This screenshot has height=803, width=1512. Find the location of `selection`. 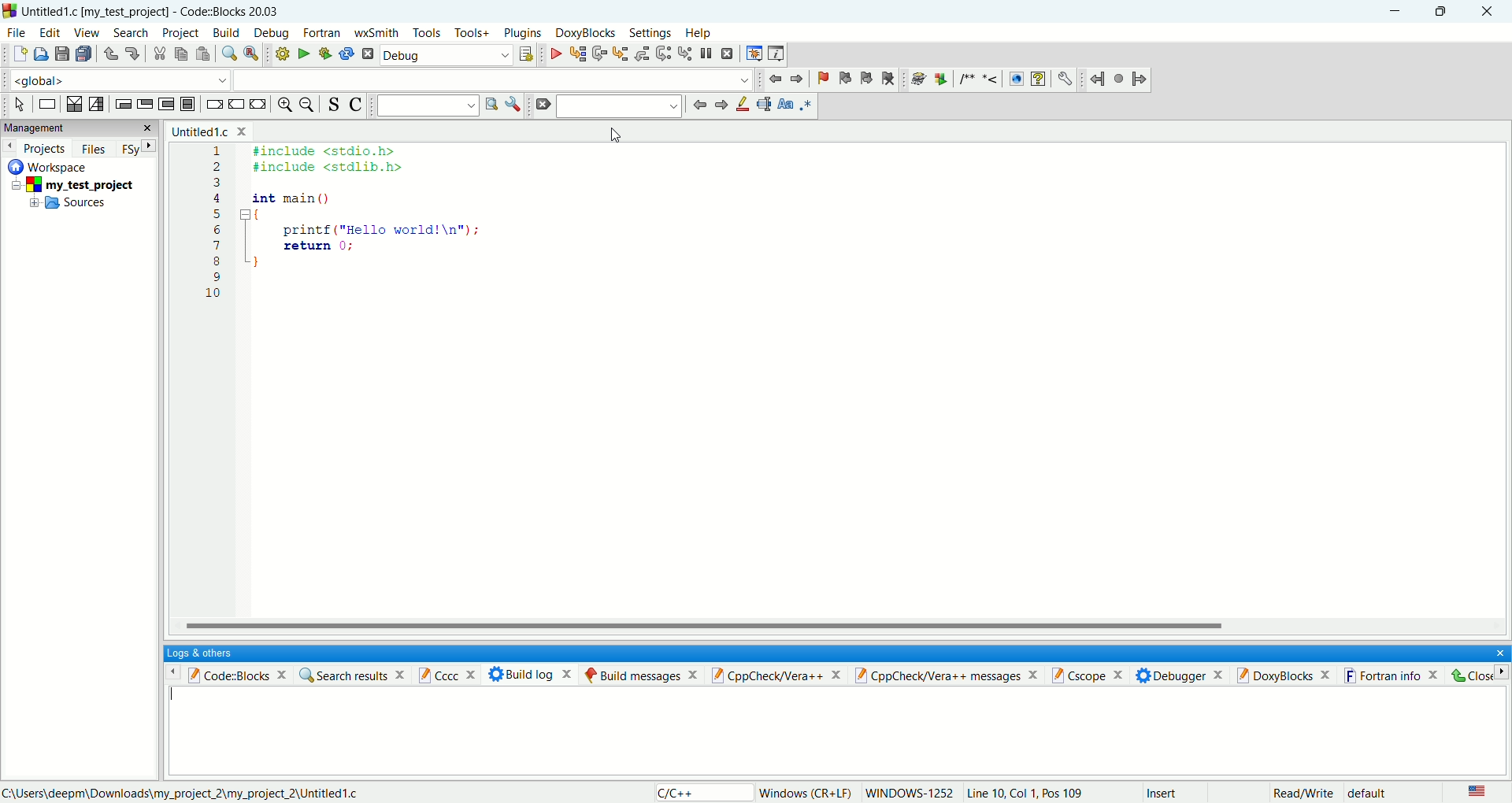

selection is located at coordinates (95, 105).